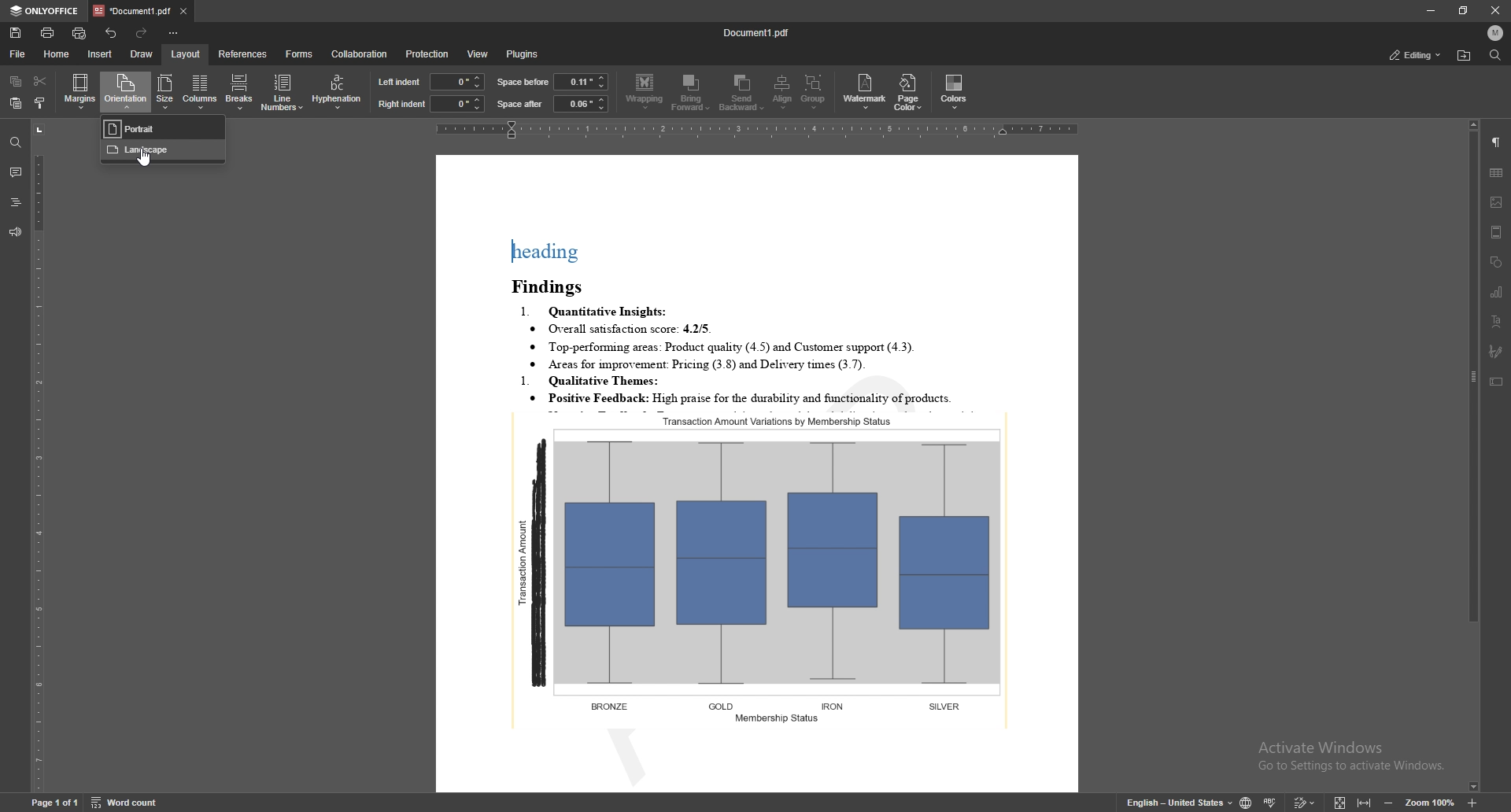 This screenshot has height=812, width=1511. What do you see at coordinates (57, 54) in the screenshot?
I see `home` at bounding box center [57, 54].